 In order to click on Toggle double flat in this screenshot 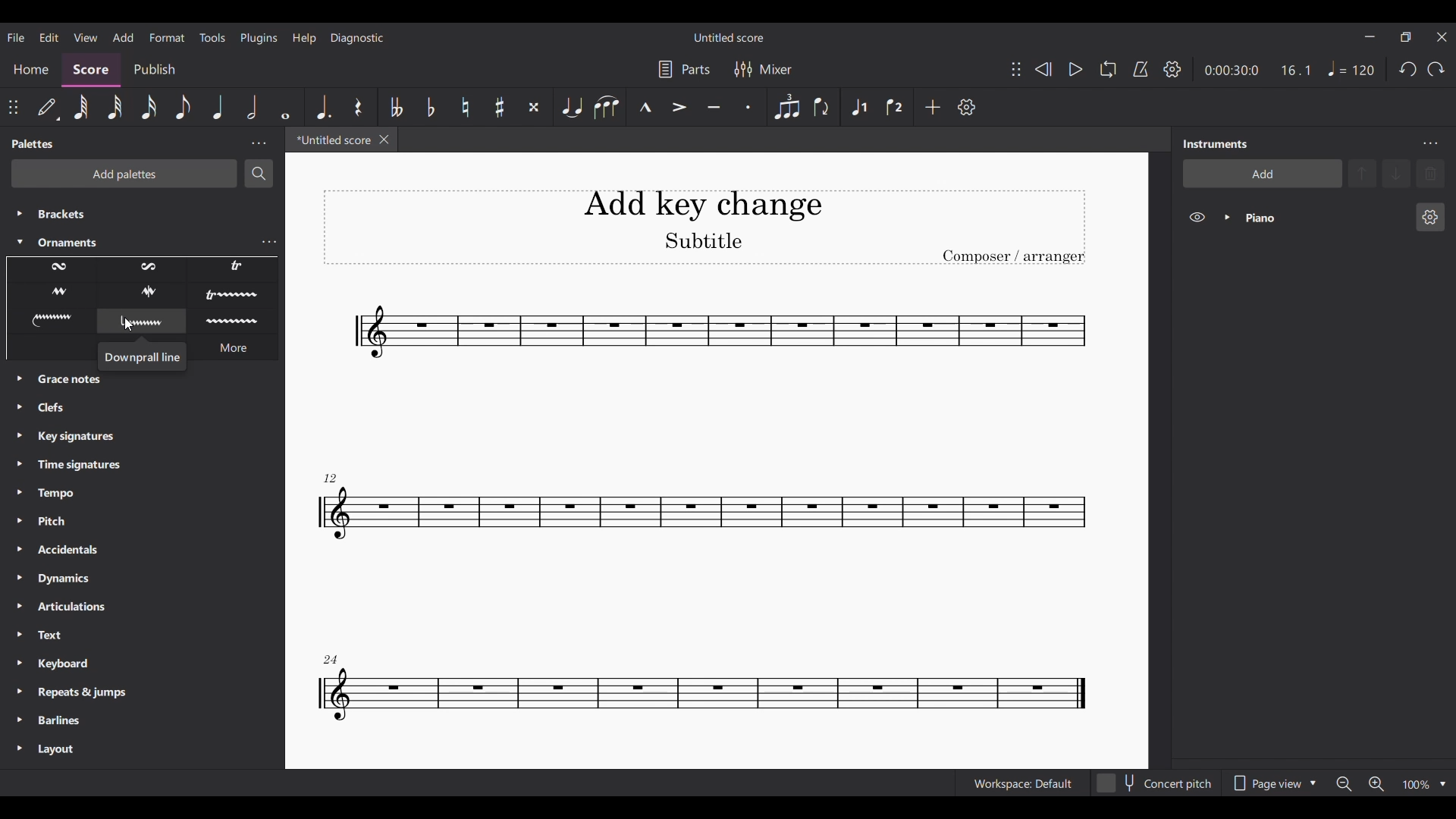, I will do `click(396, 107)`.